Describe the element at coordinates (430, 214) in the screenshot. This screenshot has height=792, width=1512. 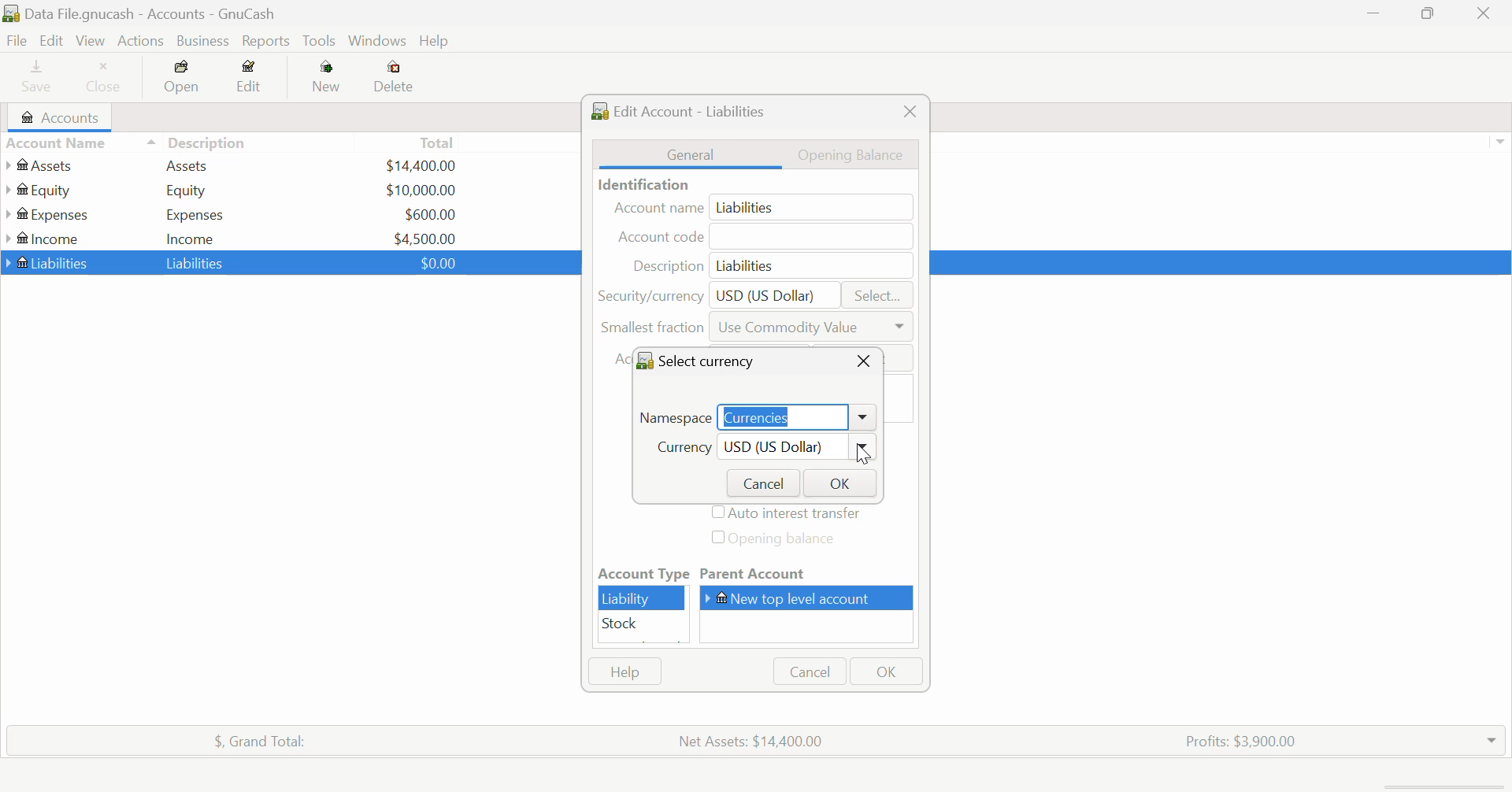
I see `USD` at that location.